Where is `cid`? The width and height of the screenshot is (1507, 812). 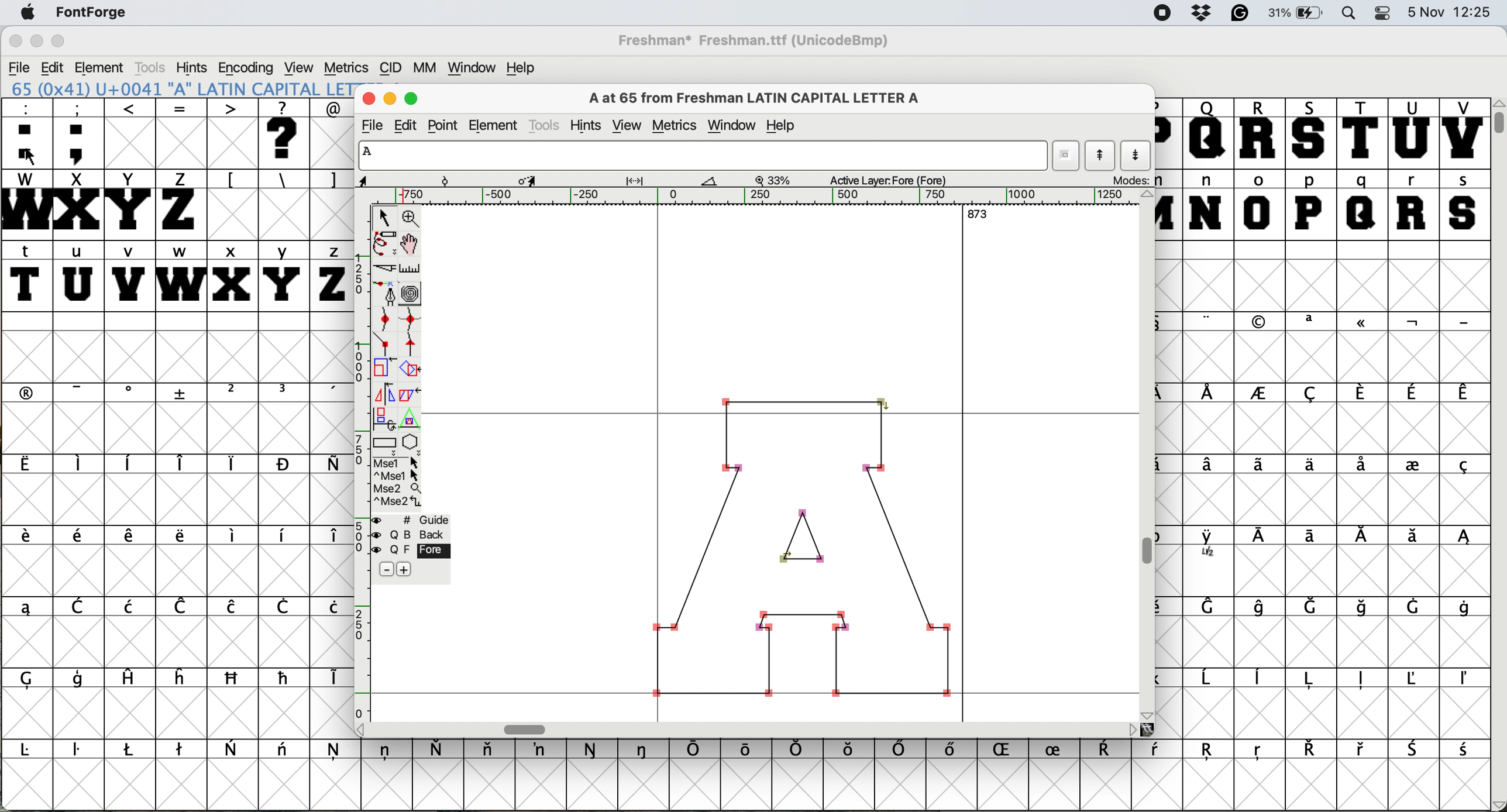
cid is located at coordinates (389, 67).